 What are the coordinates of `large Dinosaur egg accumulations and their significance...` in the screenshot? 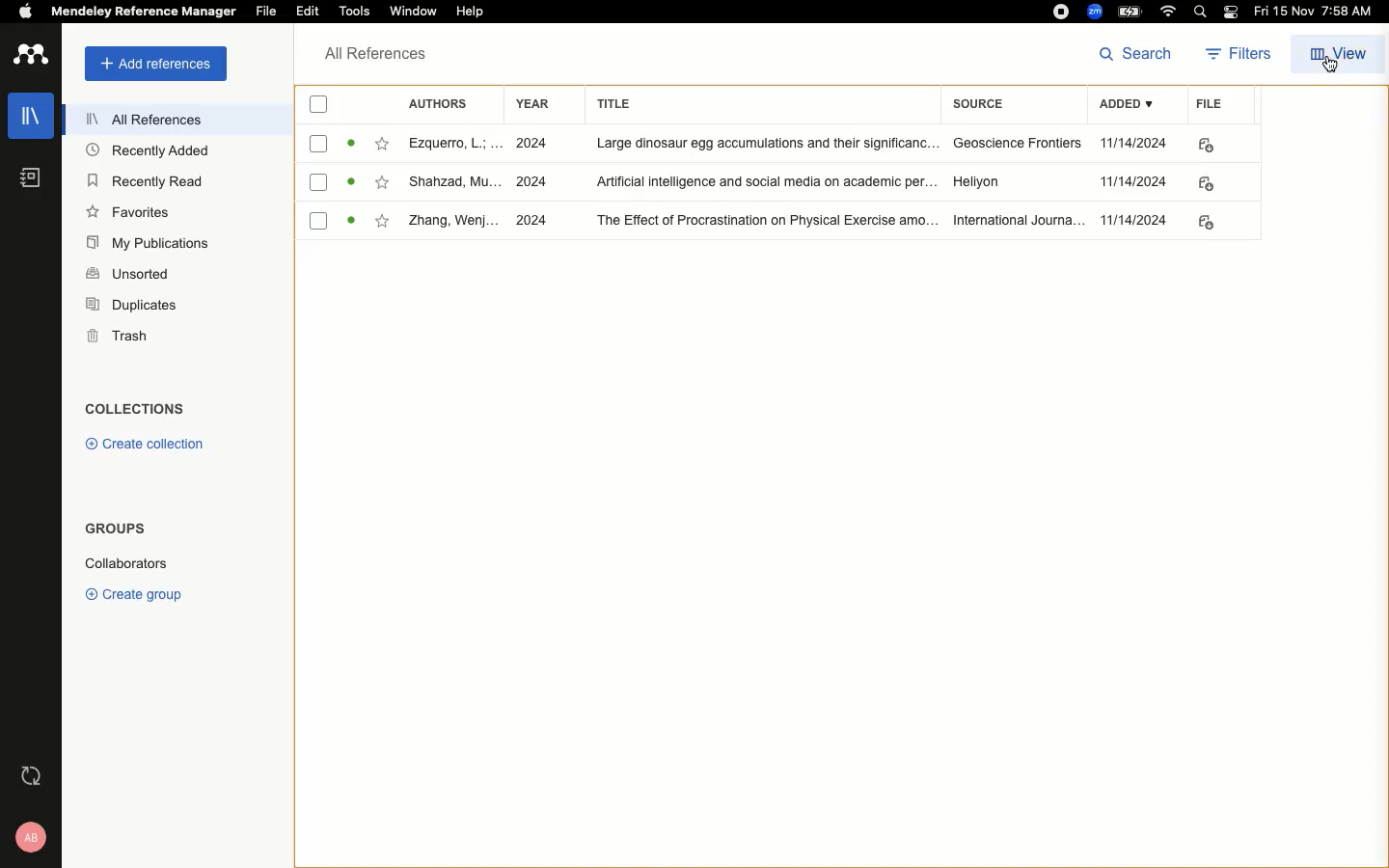 It's located at (758, 144).